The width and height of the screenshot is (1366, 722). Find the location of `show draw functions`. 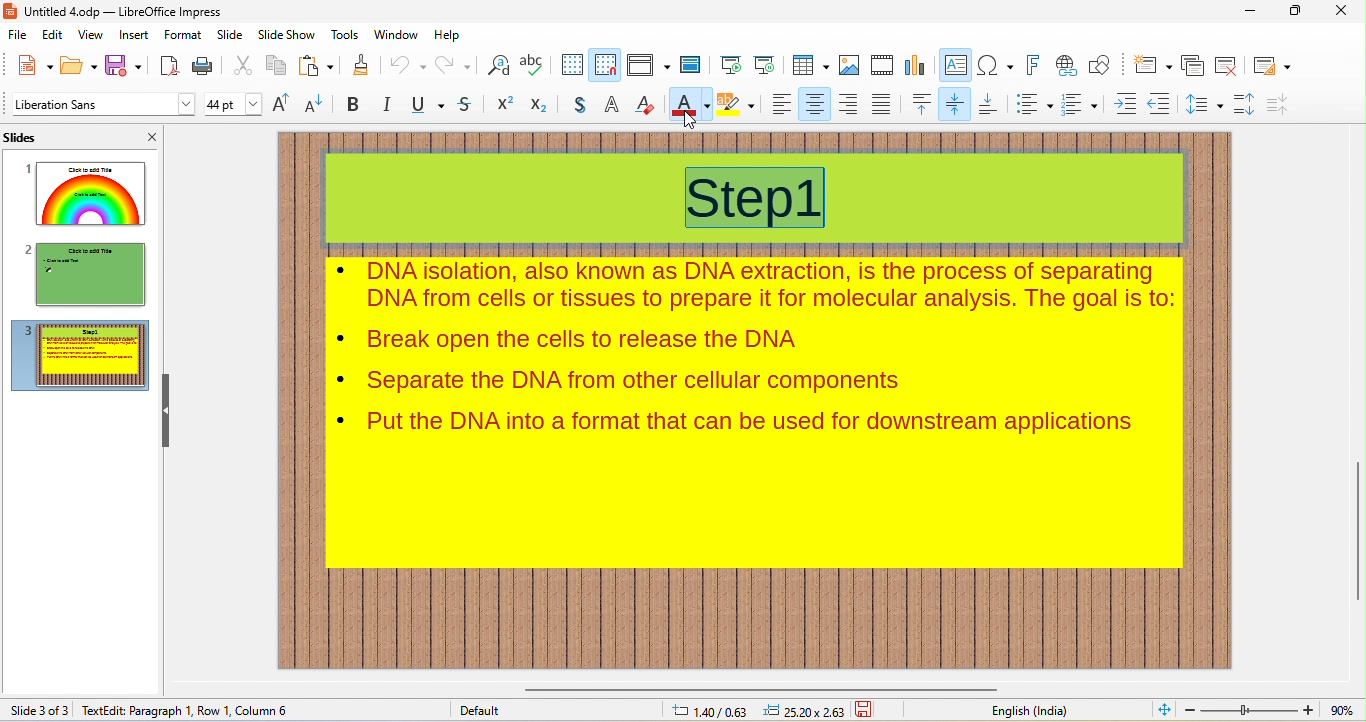

show draw functions is located at coordinates (1102, 65).